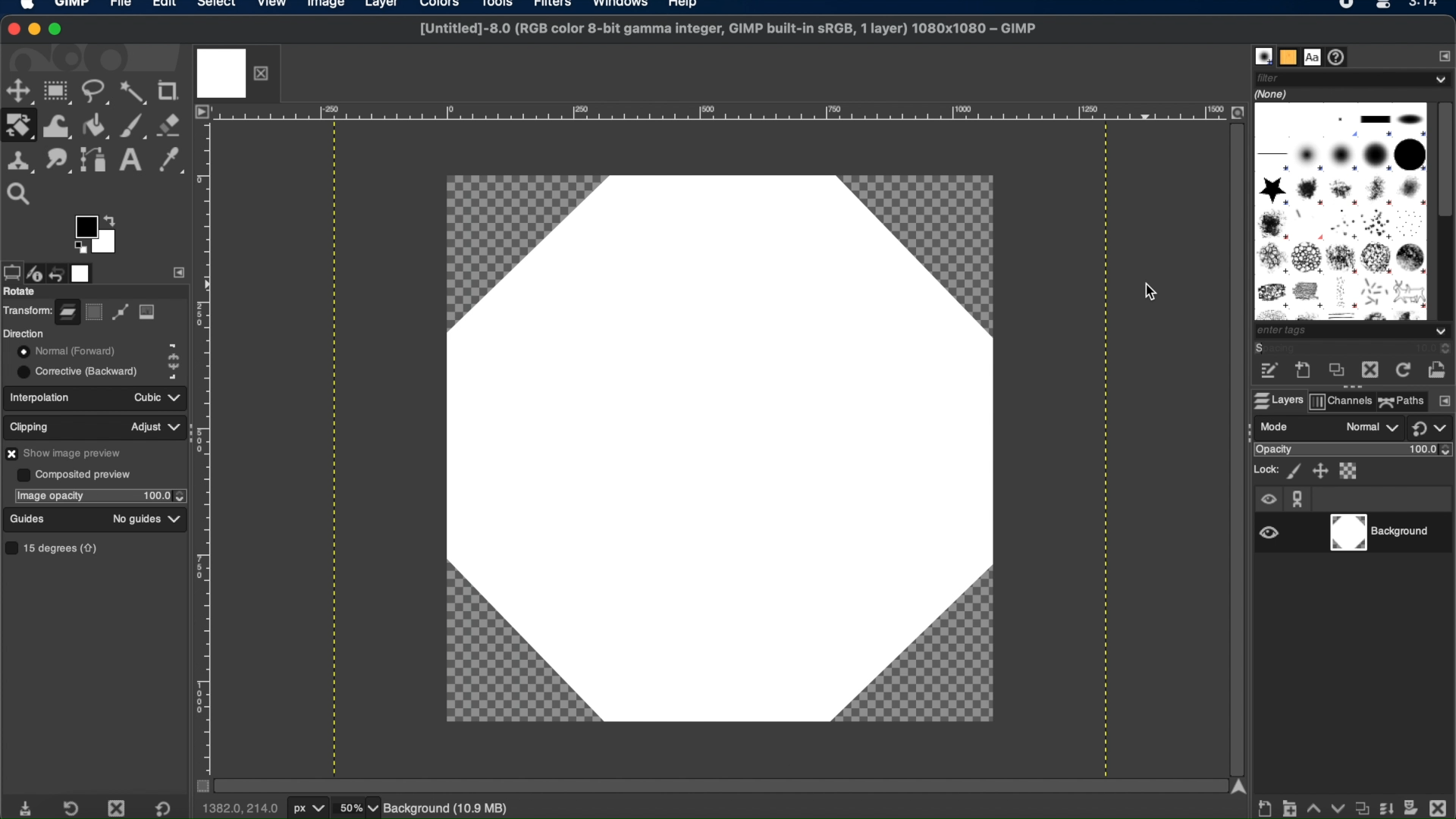  I want to click on close layer tab, so click(265, 72).